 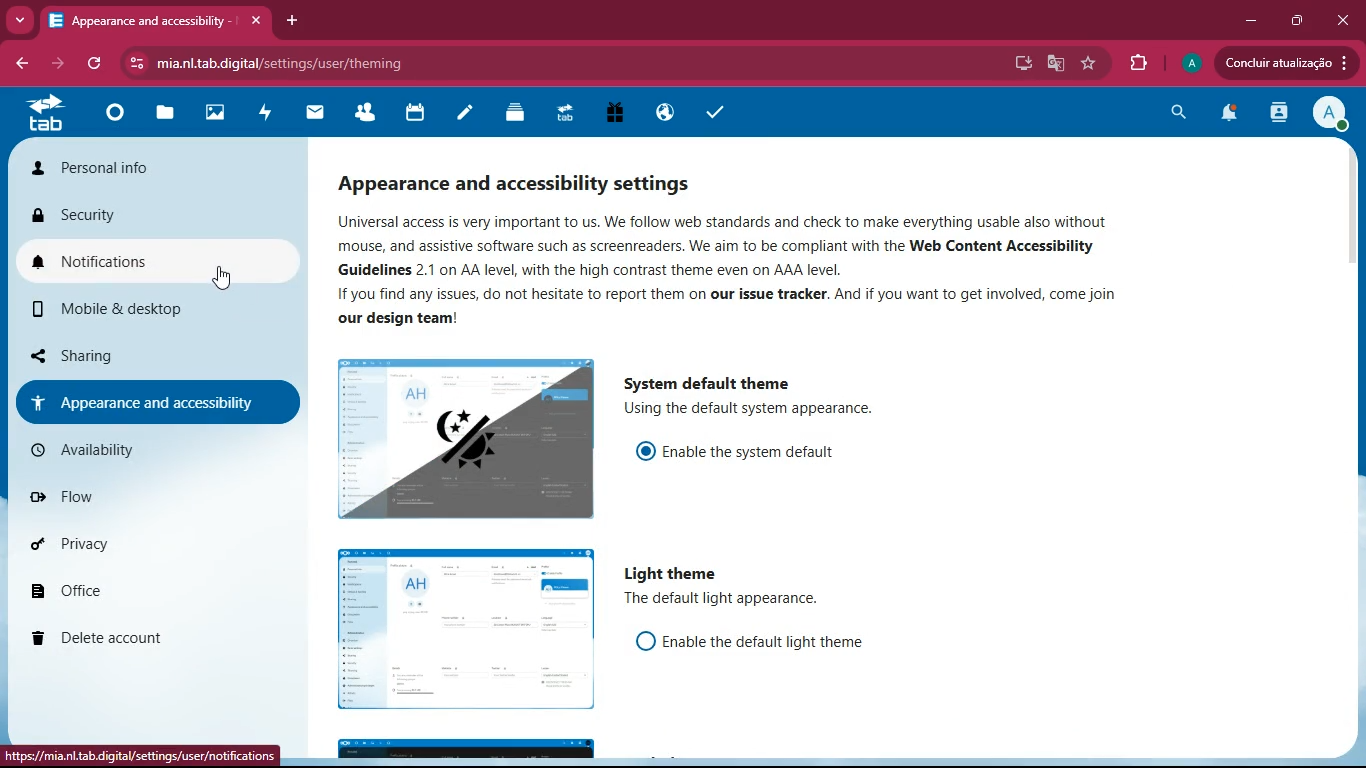 I want to click on maximize, so click(x=1299, y=20).